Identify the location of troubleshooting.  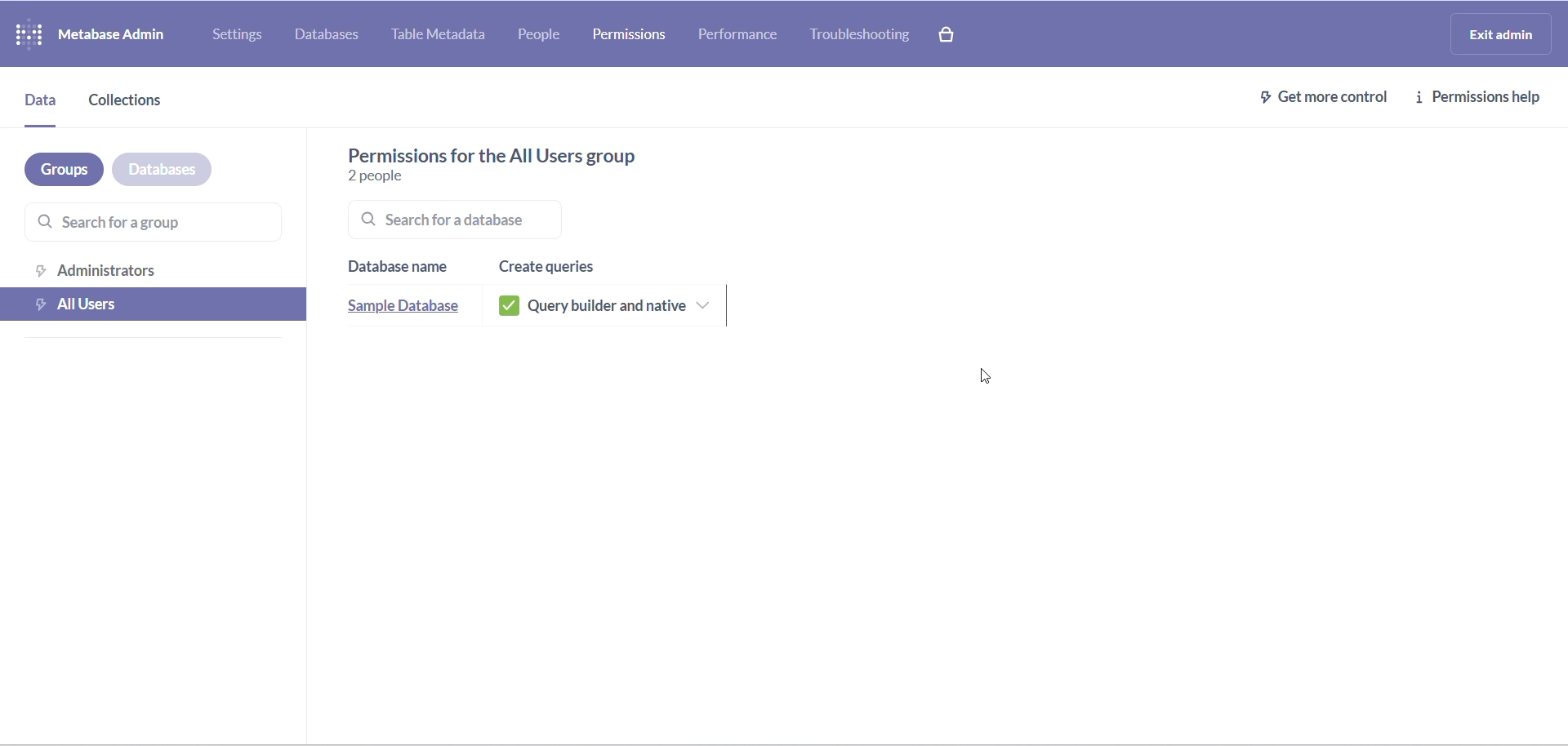
(868, 37).